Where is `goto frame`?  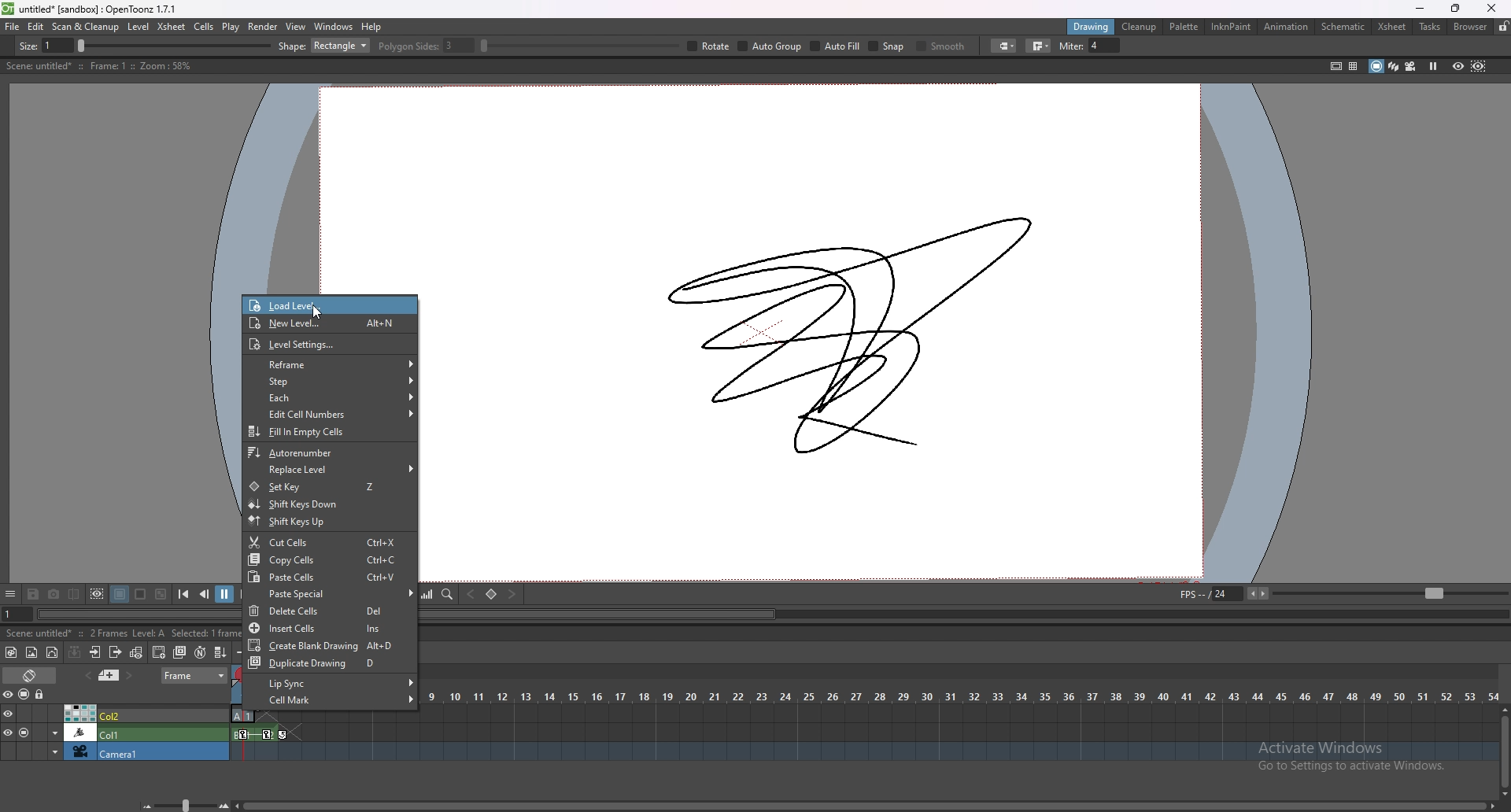 goto frame is located at coordinates (17, 615).